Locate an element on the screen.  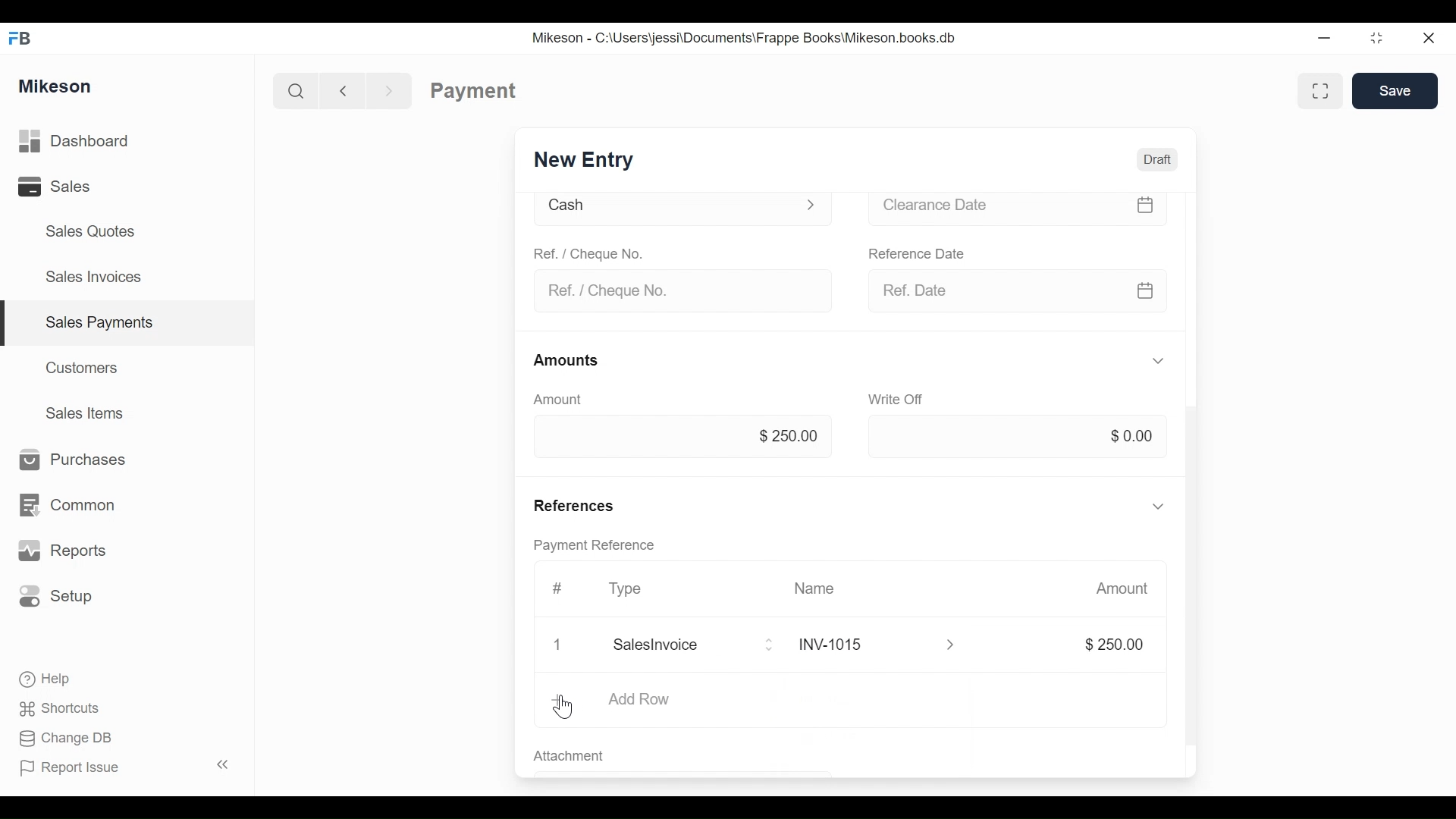
Salesinvoice is located at coordinates (691, 645).